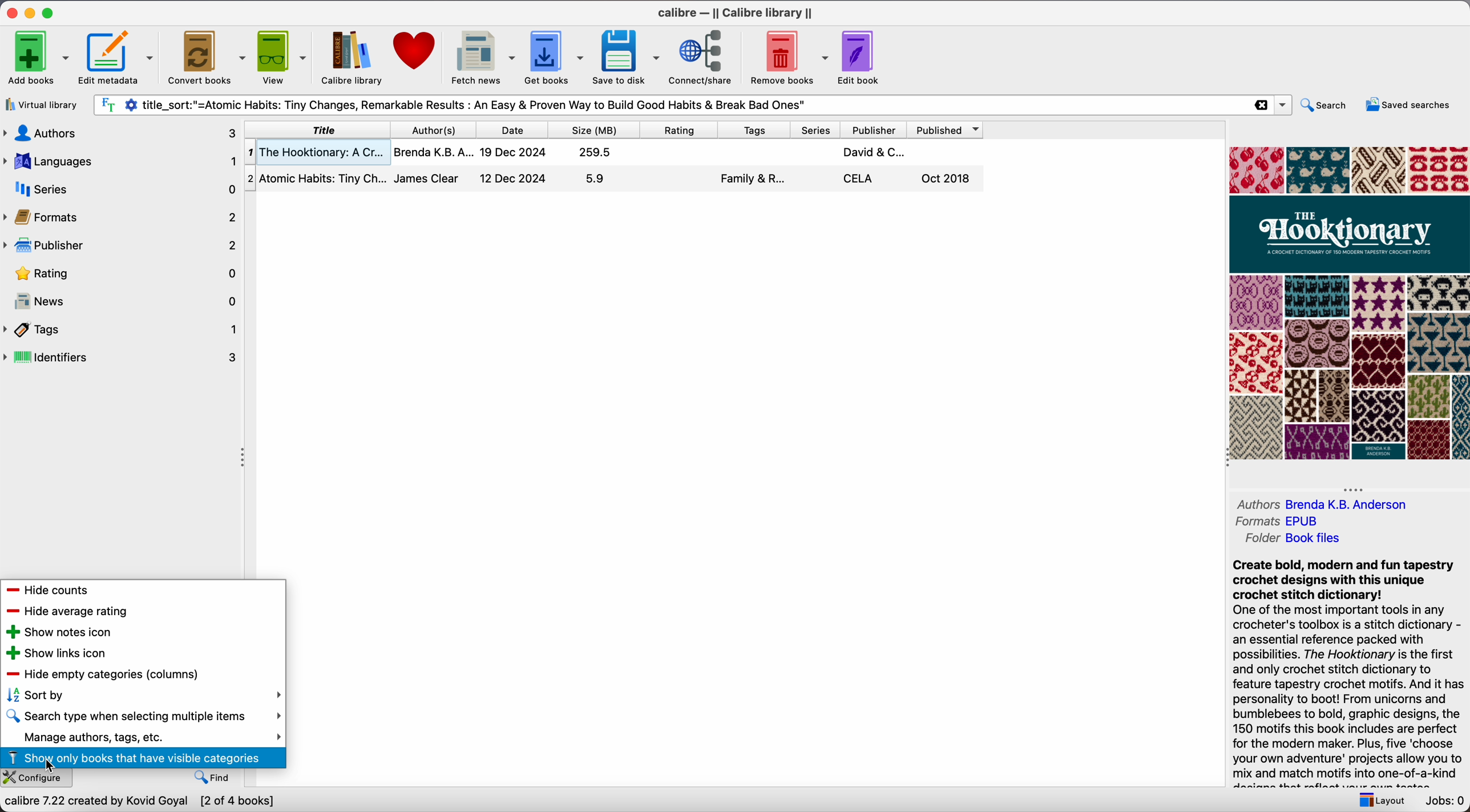  I want to click on Authors, so click(1257, 504).